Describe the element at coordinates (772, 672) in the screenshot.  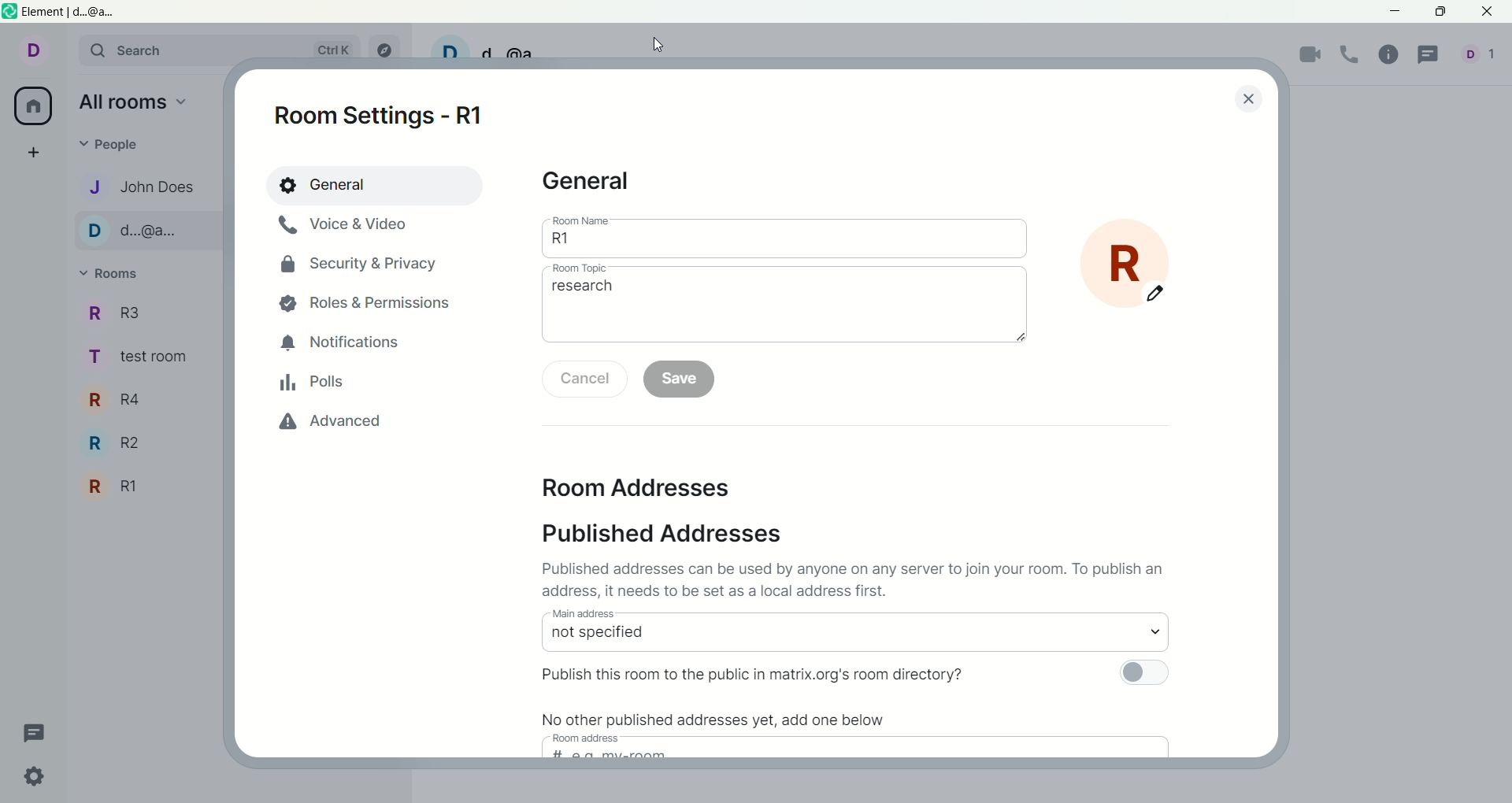
I see `publish this room to the public in matrix.org's room directory?` at that location.